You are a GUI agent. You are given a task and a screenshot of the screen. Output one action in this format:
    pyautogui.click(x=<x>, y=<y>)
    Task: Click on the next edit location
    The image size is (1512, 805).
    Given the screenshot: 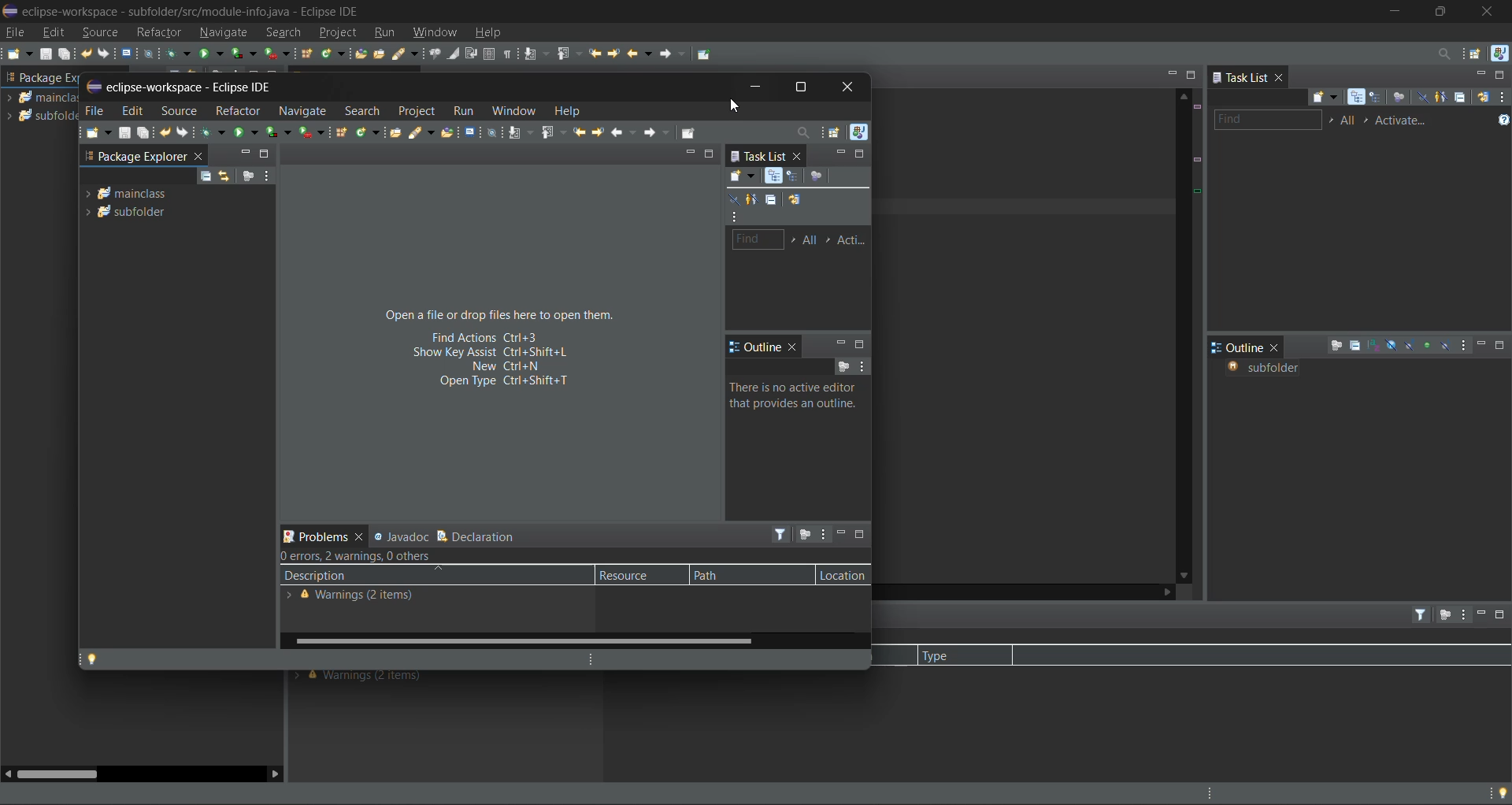 What is the action you would take?
    pyautogui.click(x=615, y=53)
    